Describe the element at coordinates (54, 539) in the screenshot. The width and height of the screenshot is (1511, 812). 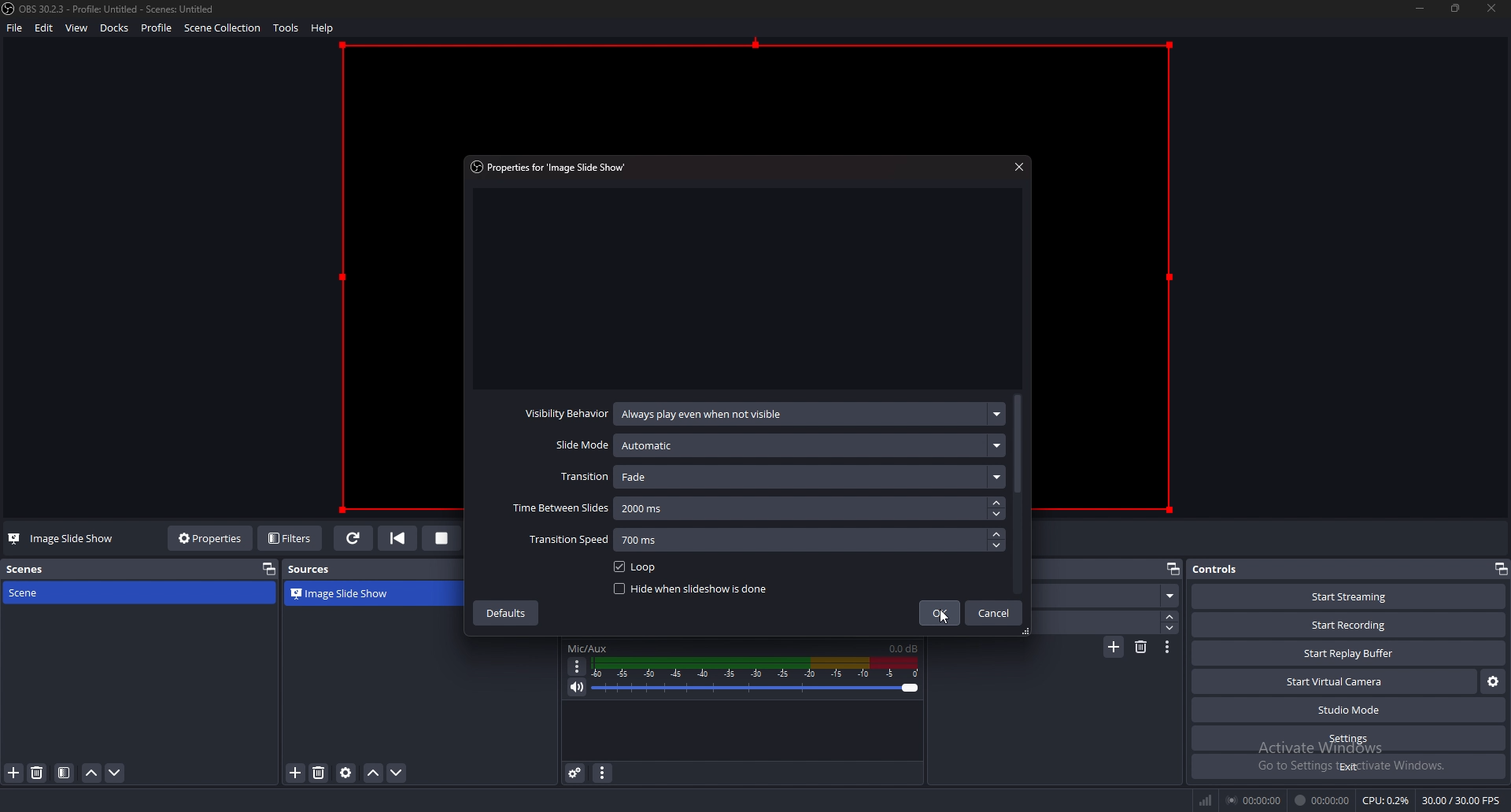
I see `no source selected` at that location.